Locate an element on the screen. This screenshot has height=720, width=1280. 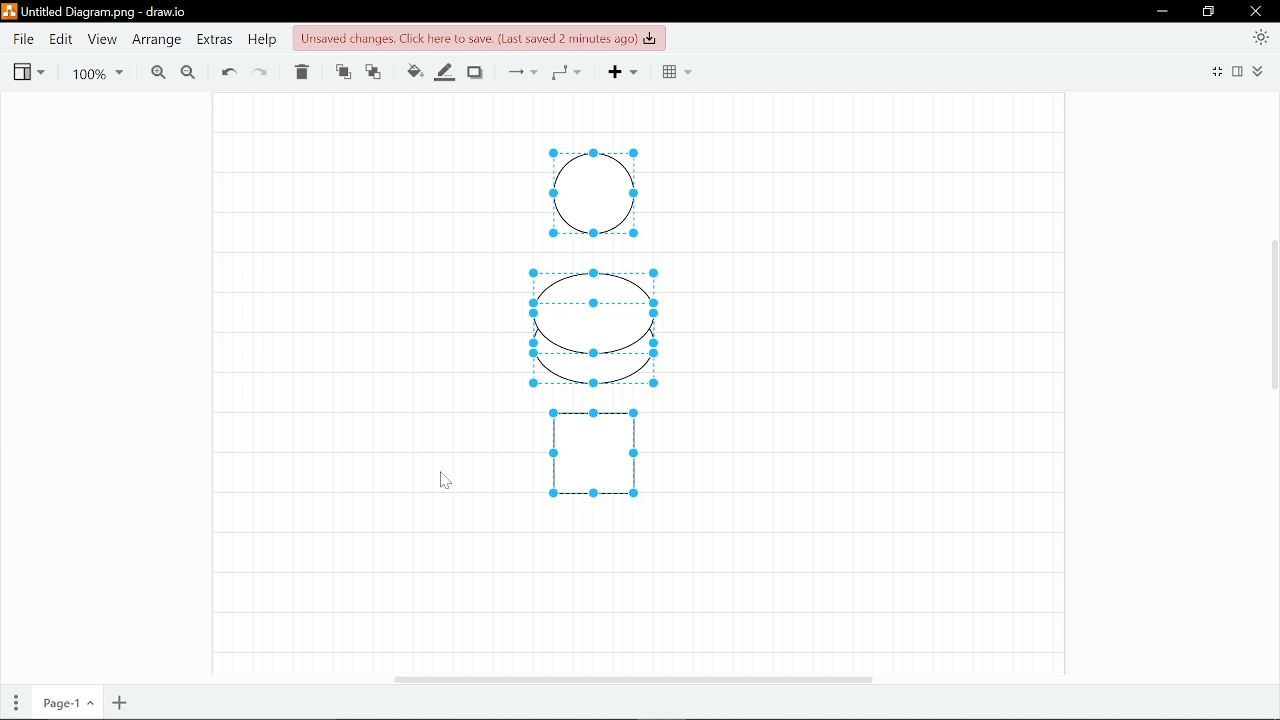
Add page is located at coordinates (120, 703).